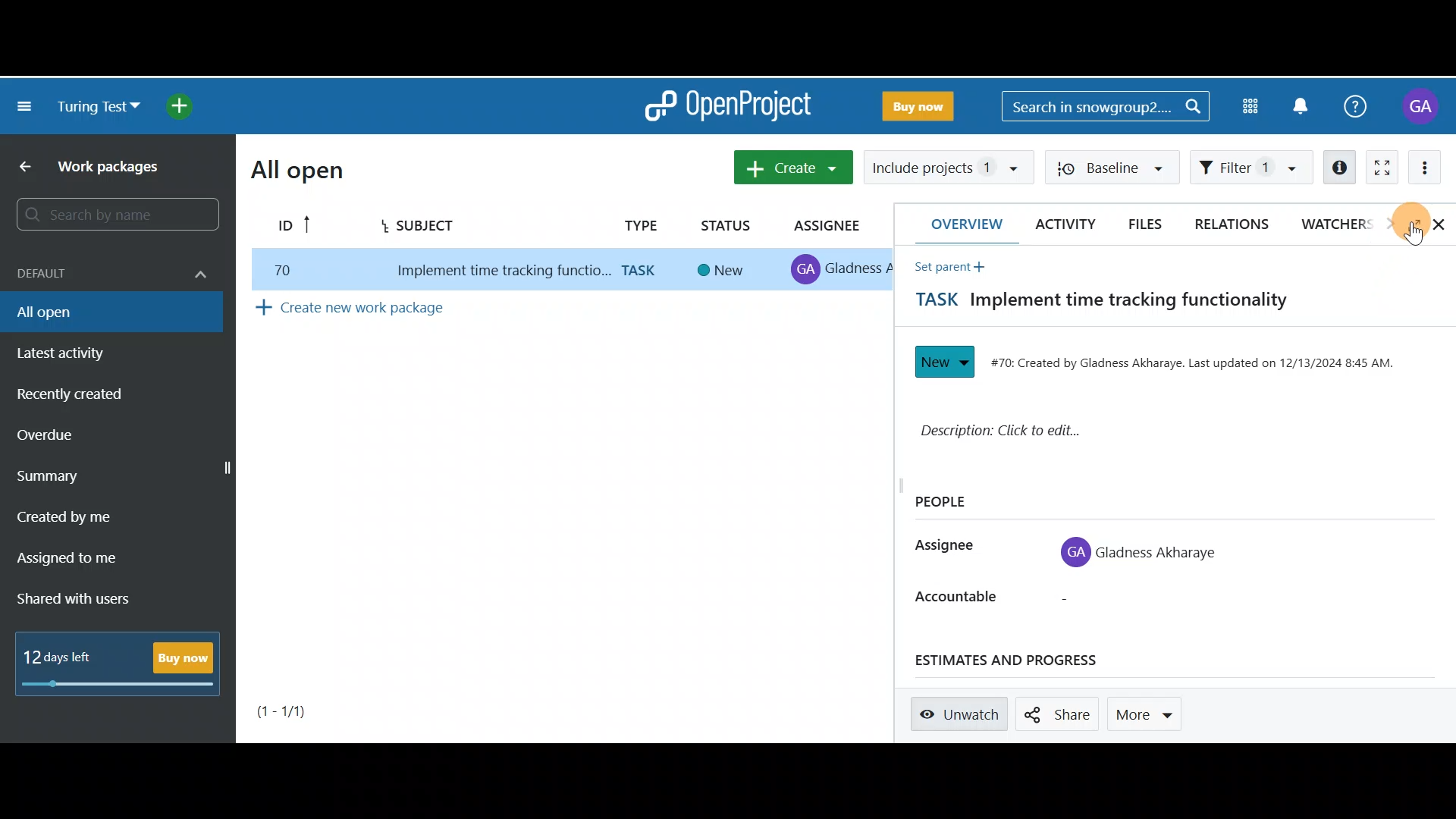 The height and width of the screenshot is (819, 1456). Describe the element at coordinates (19, 168) in the screenshot. I see `Back` at that location.